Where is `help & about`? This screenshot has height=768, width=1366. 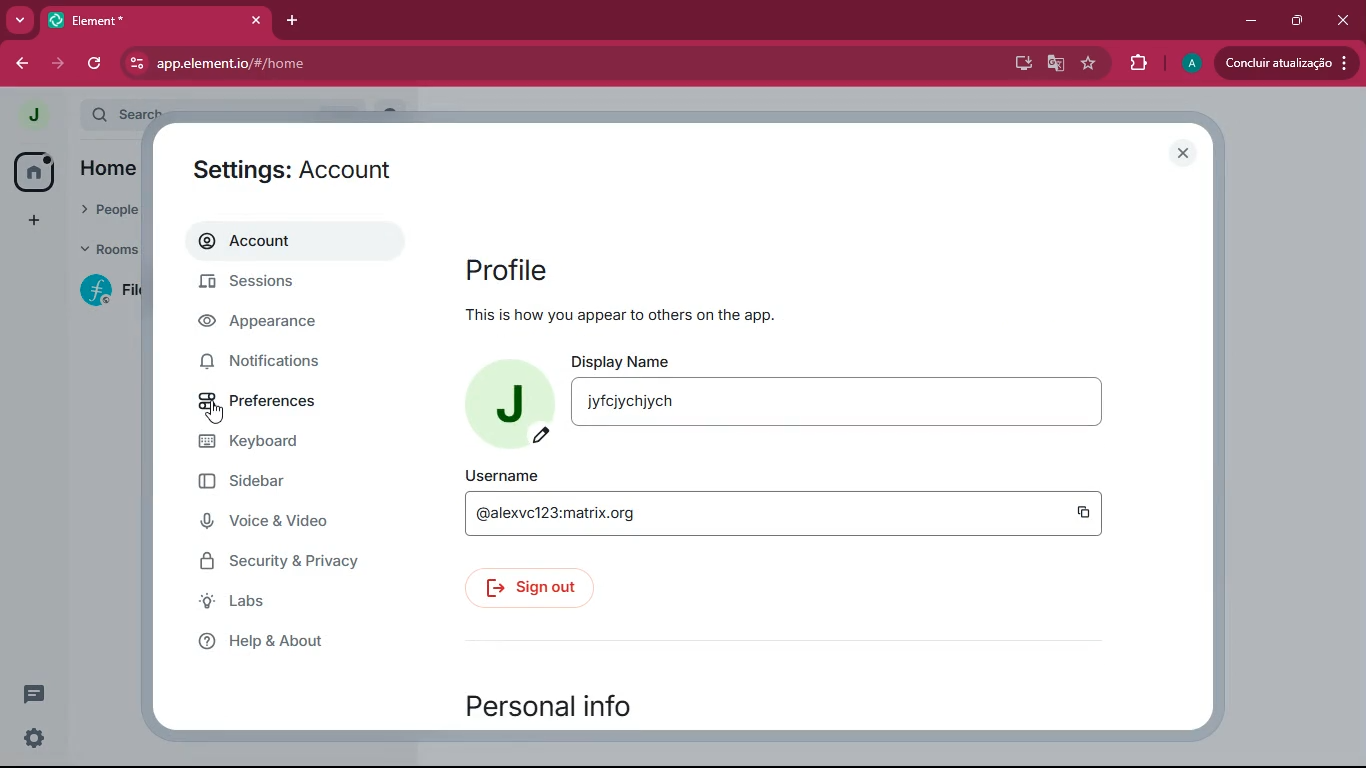
help & about is located at coordinates (270, 642).